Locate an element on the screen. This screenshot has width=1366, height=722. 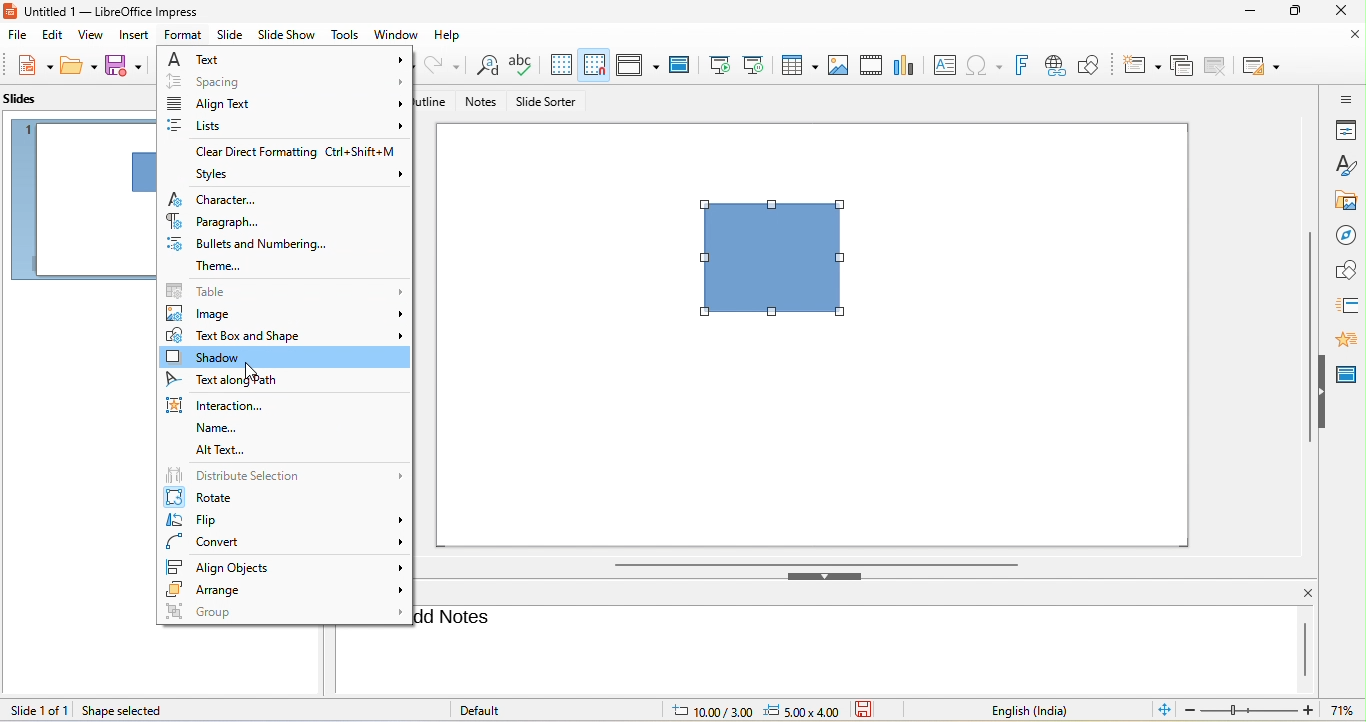
close is located at coordinates (1346, 13).